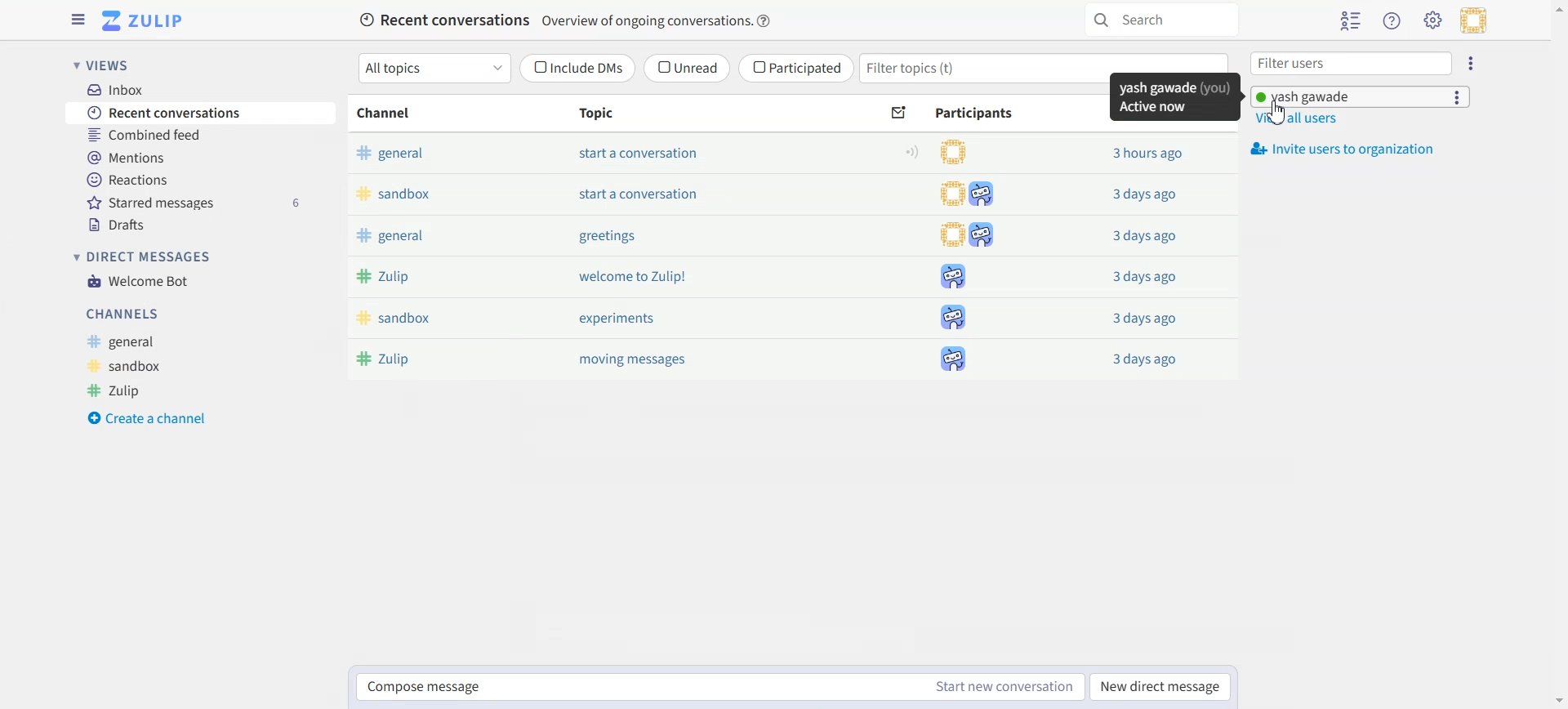 Image resolution: width=1568 pixels, height=709 pixels. I want to click on Channel, so click(390, 116).